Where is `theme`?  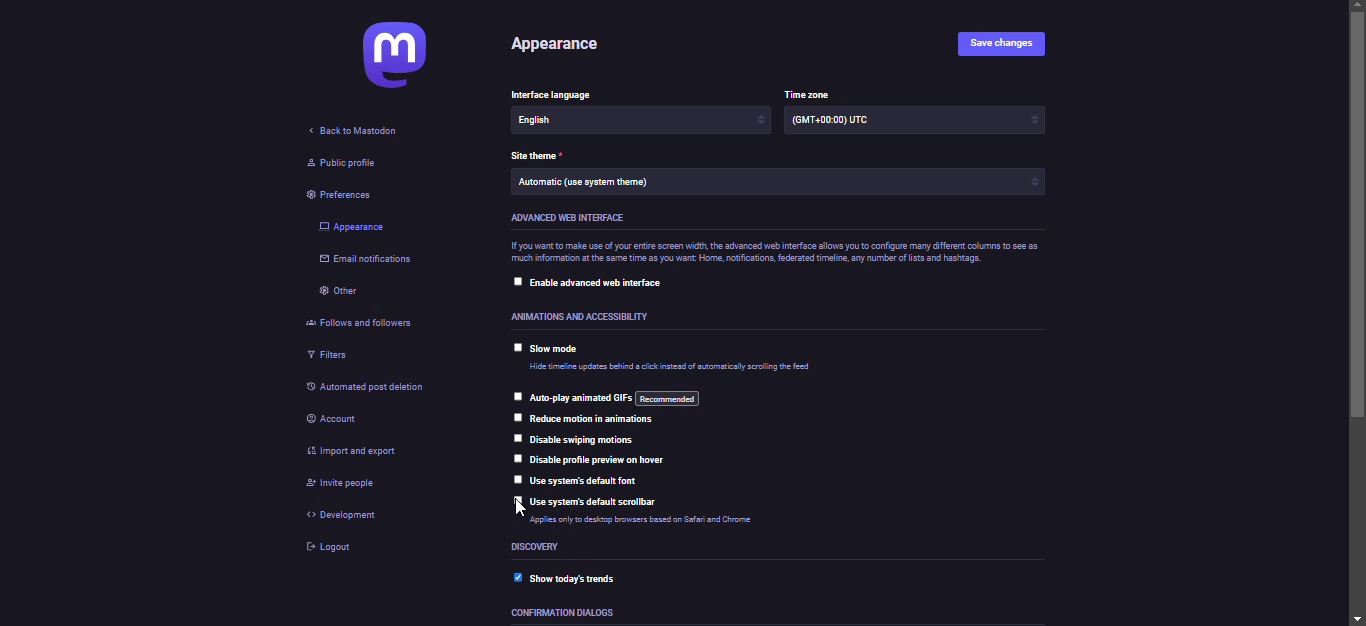
theme is located at coordinates (534, 155).